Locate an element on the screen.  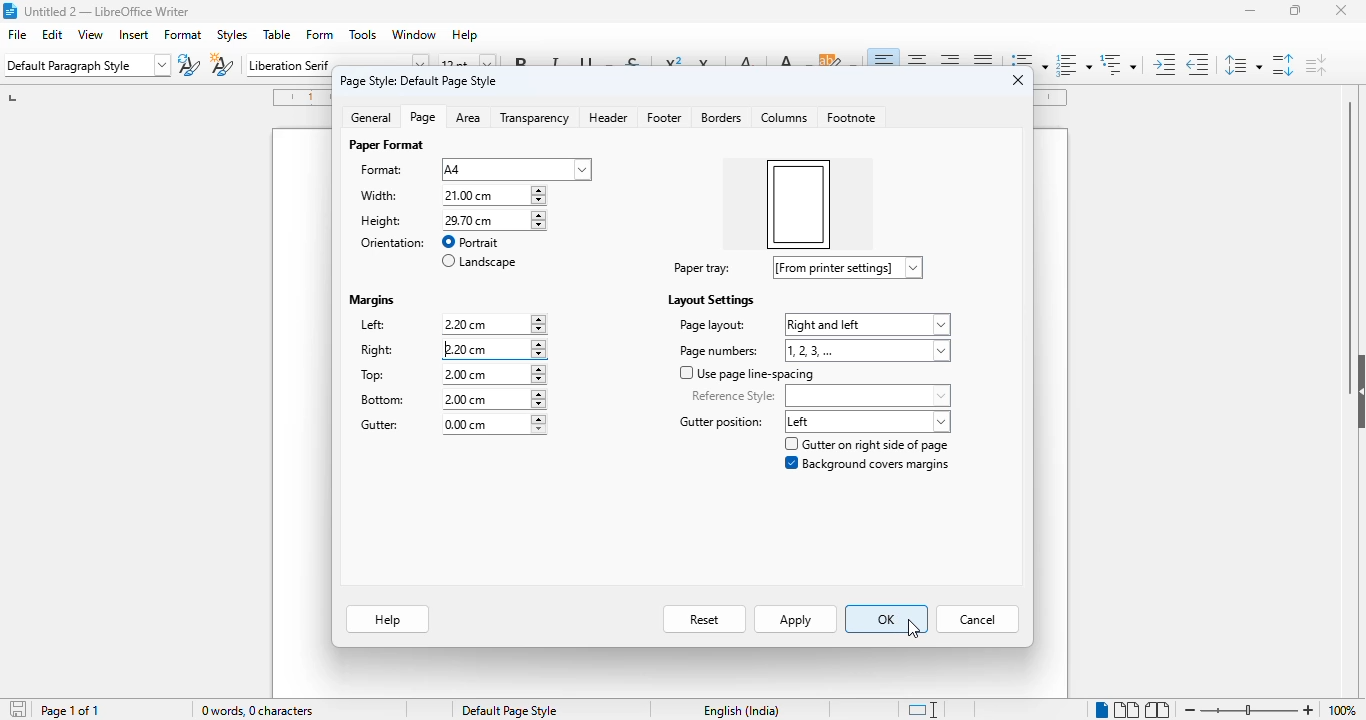
set line spacing is located at coordinates (1242, 65).